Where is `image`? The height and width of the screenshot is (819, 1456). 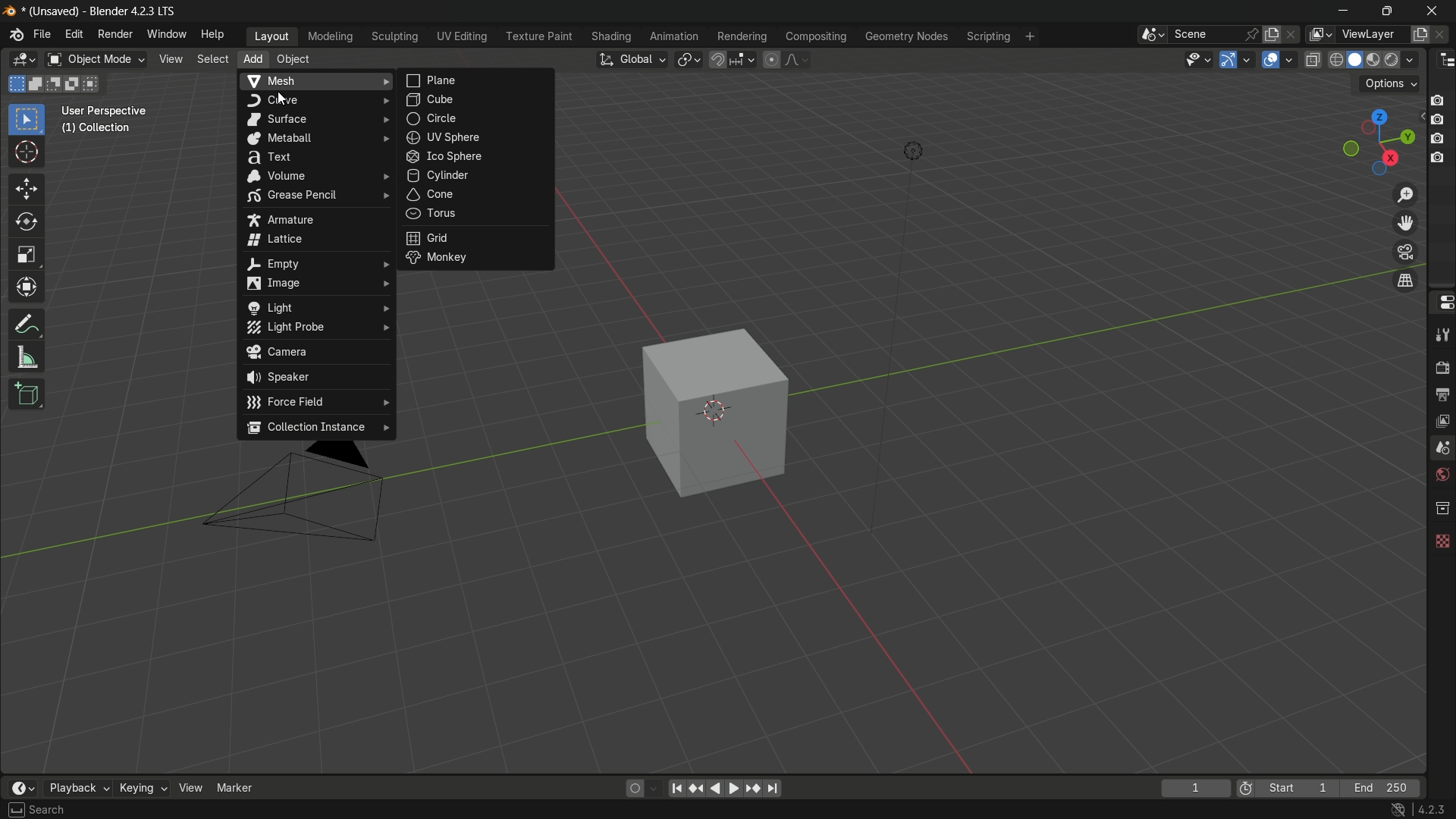
image is located at coordinates (315, 285).